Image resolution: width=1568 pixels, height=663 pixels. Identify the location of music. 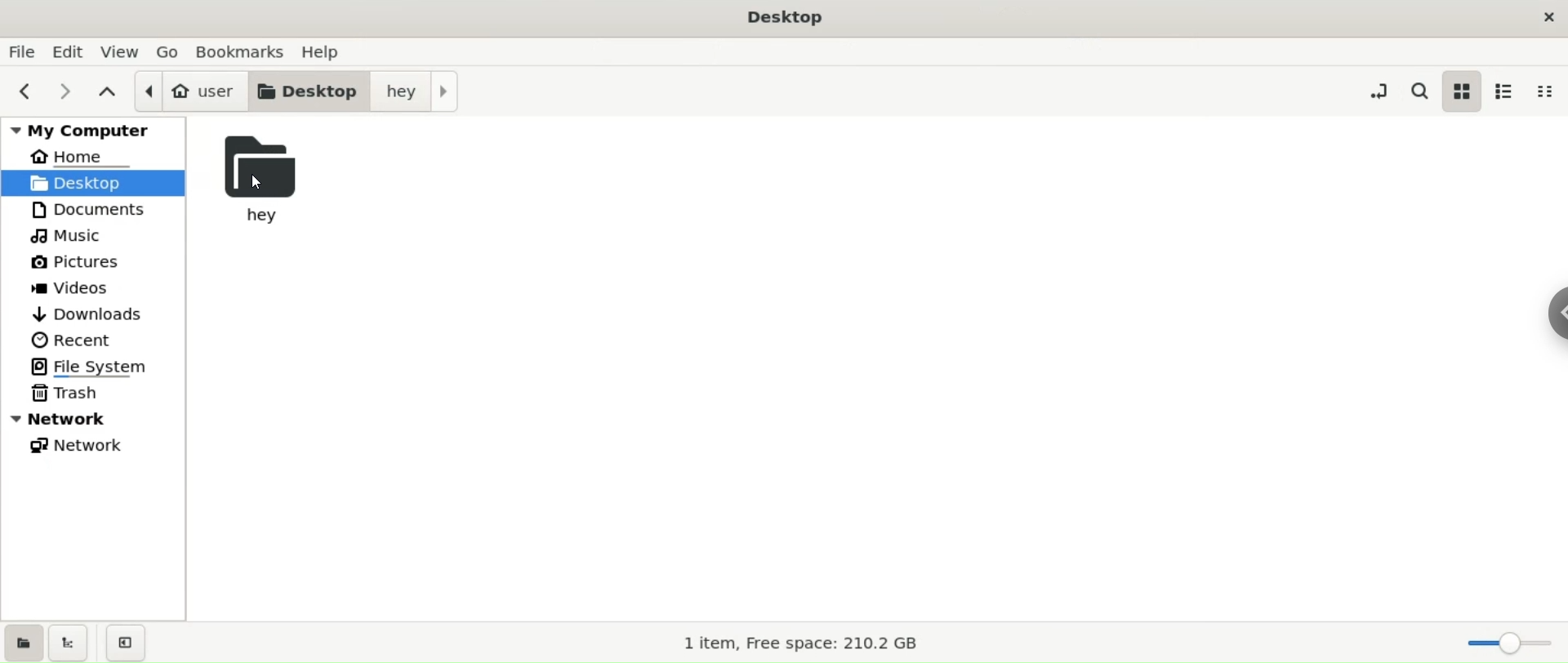
(96, 238).